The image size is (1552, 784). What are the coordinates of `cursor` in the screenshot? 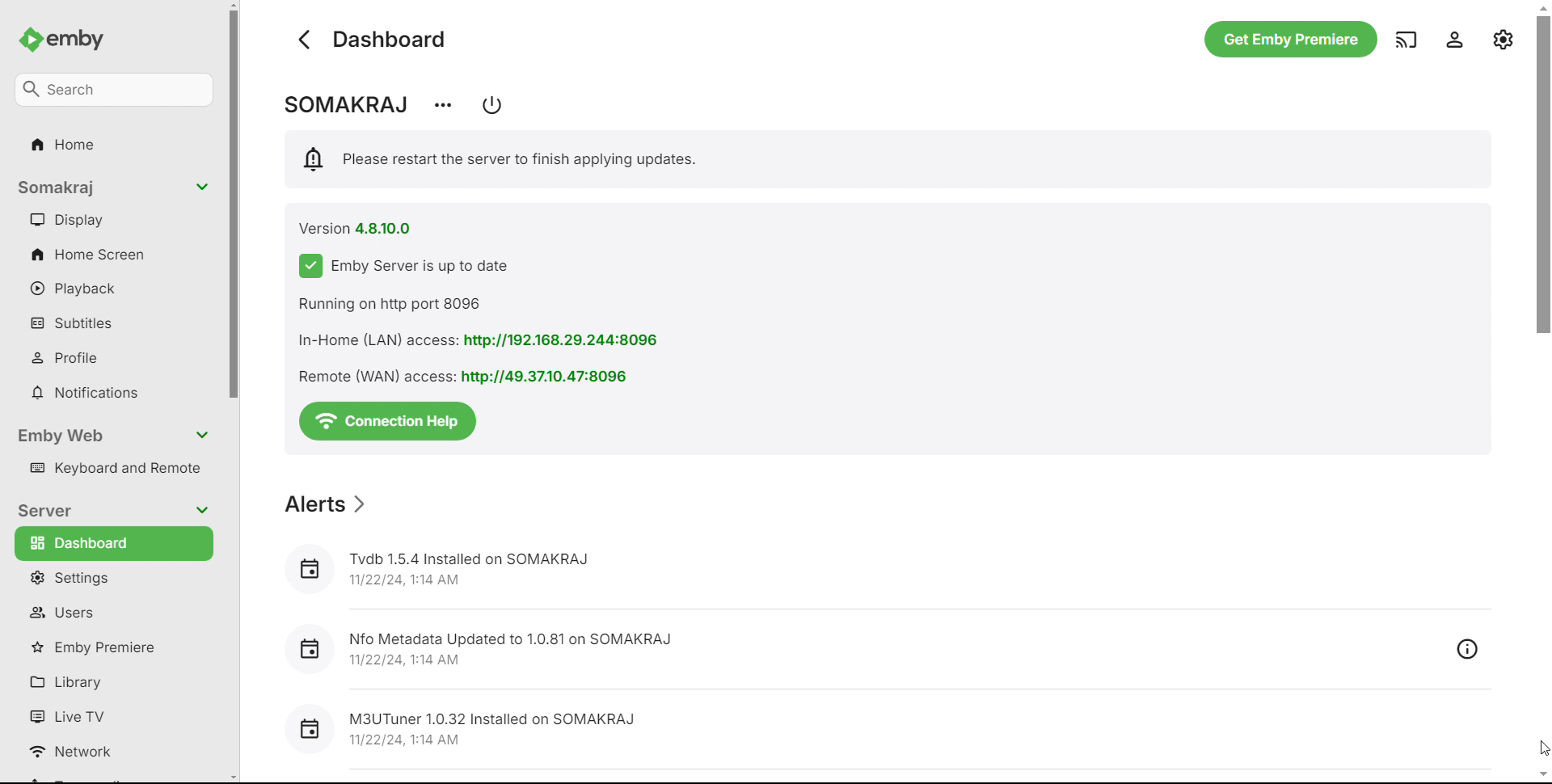 It's located at (1543, 748).